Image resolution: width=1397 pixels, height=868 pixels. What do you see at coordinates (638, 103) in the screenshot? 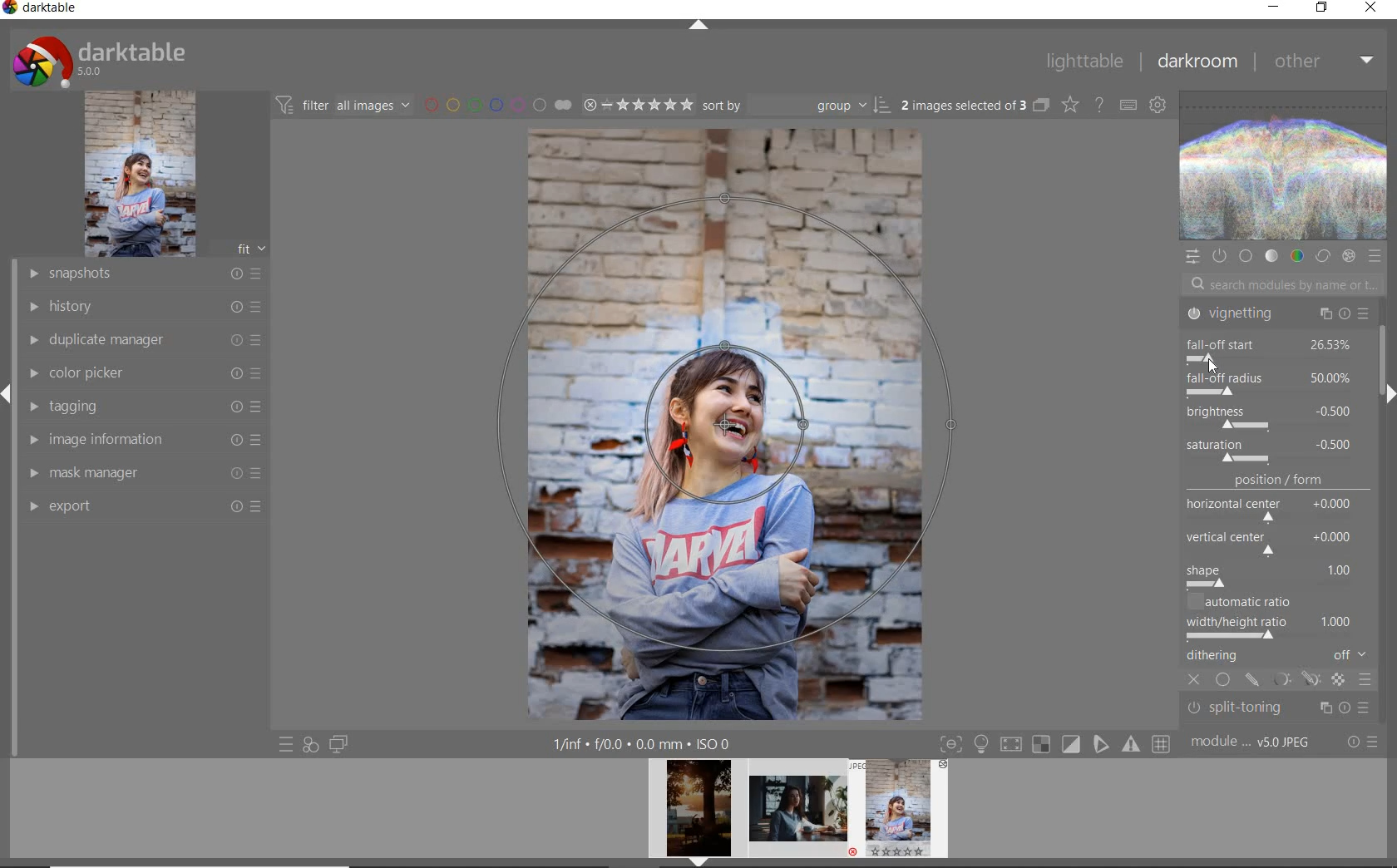
I see `SELECTED IMAGE RANGE RATING` at bounding box center [638, 103].